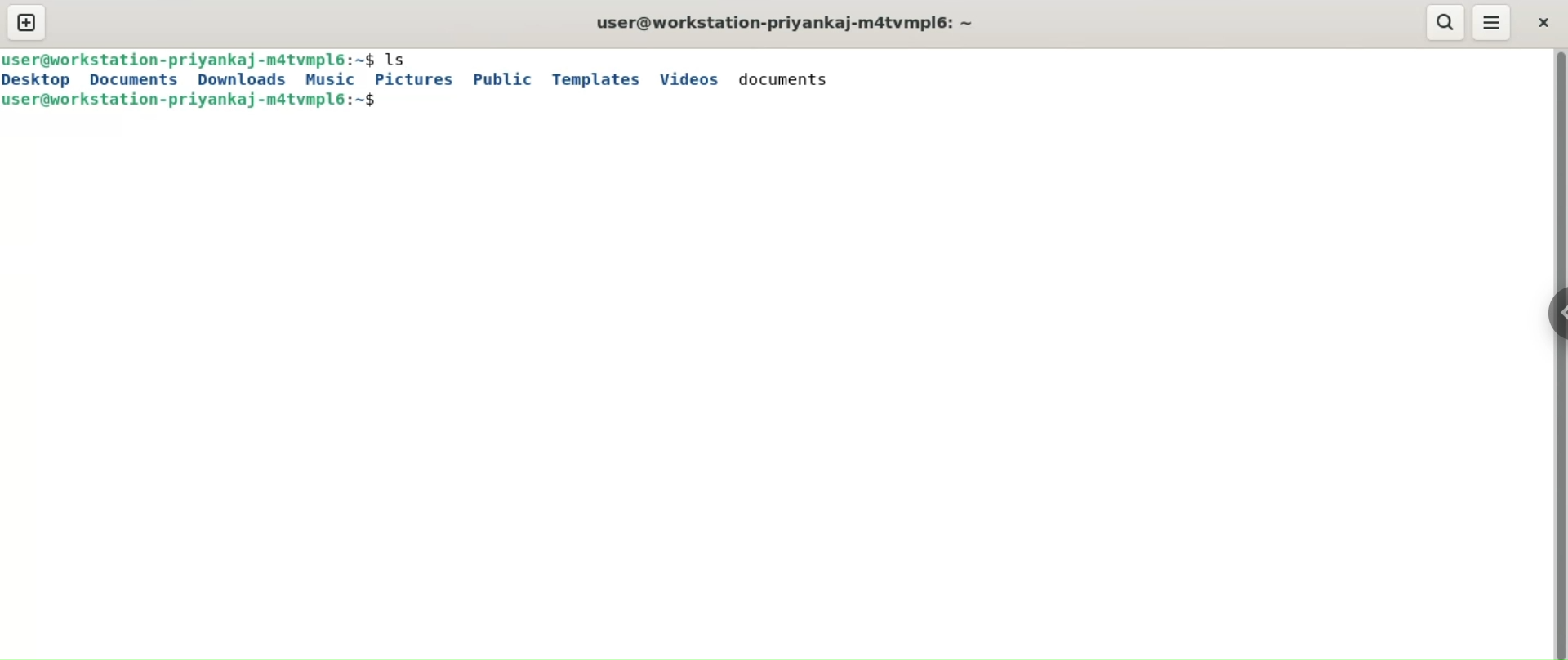 Image resolution: width=1568 pixels, height=660 pixels. What do you see at coordinates (133, 81) in the screenshot?
I see `documents` at bounding box center [133, 81].